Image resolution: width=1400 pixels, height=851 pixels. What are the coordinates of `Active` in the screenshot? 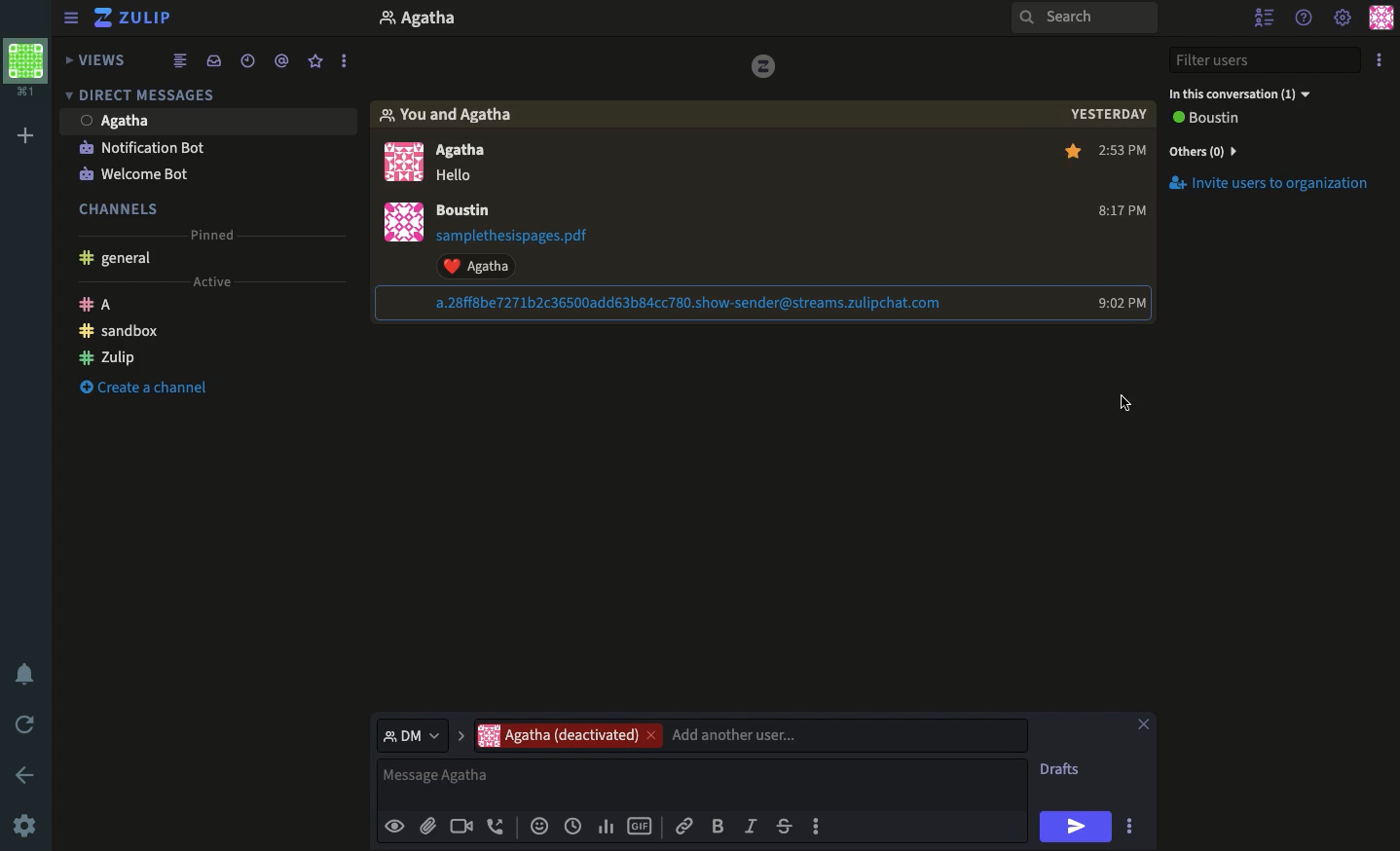 It's located at (213, 281).